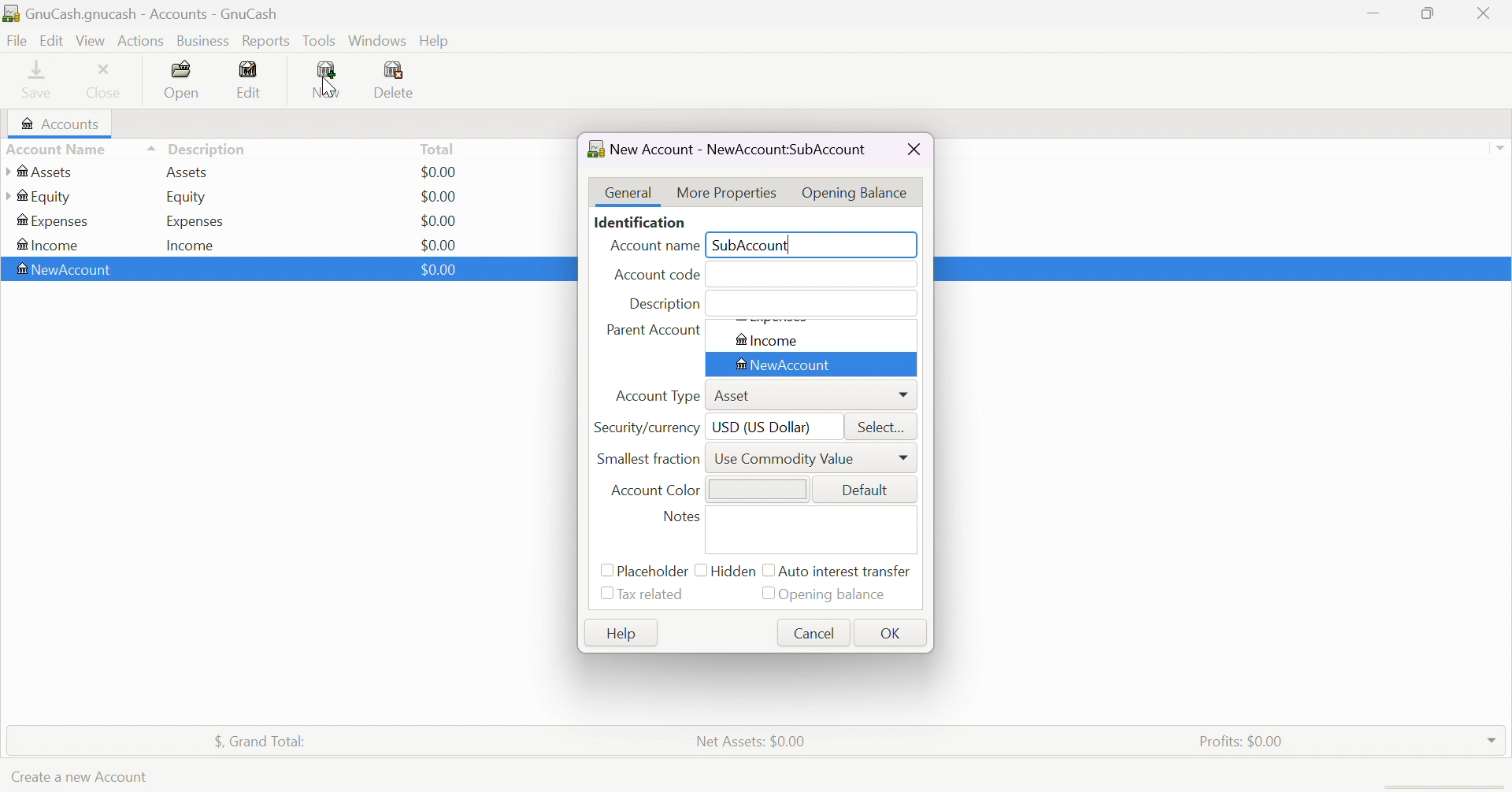 This screenshot has width=1512, height=792. I want to click on Edit, so click(50, 41).